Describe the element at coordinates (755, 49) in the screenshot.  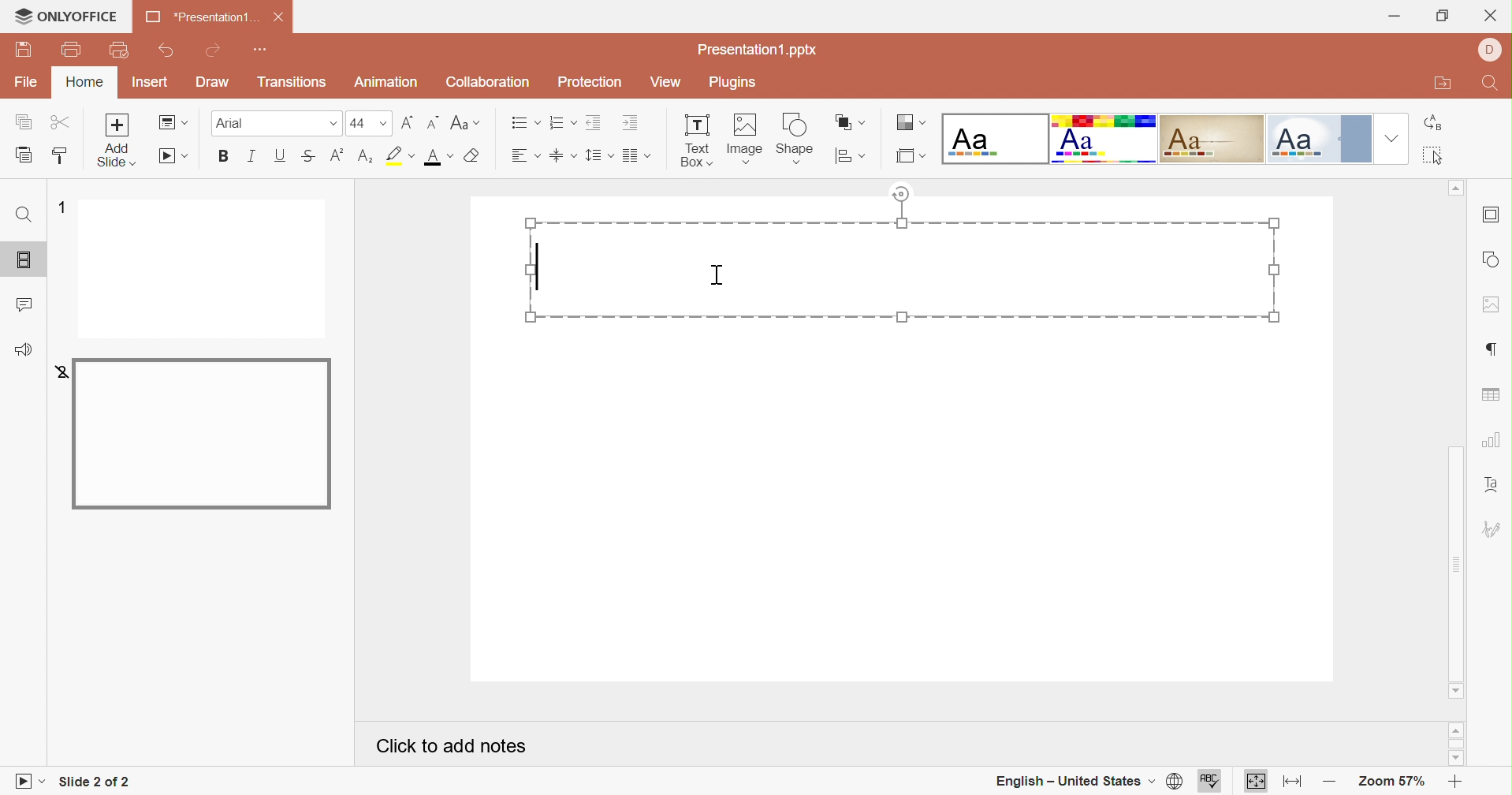
I see `Presentation1.pptx` at that location.